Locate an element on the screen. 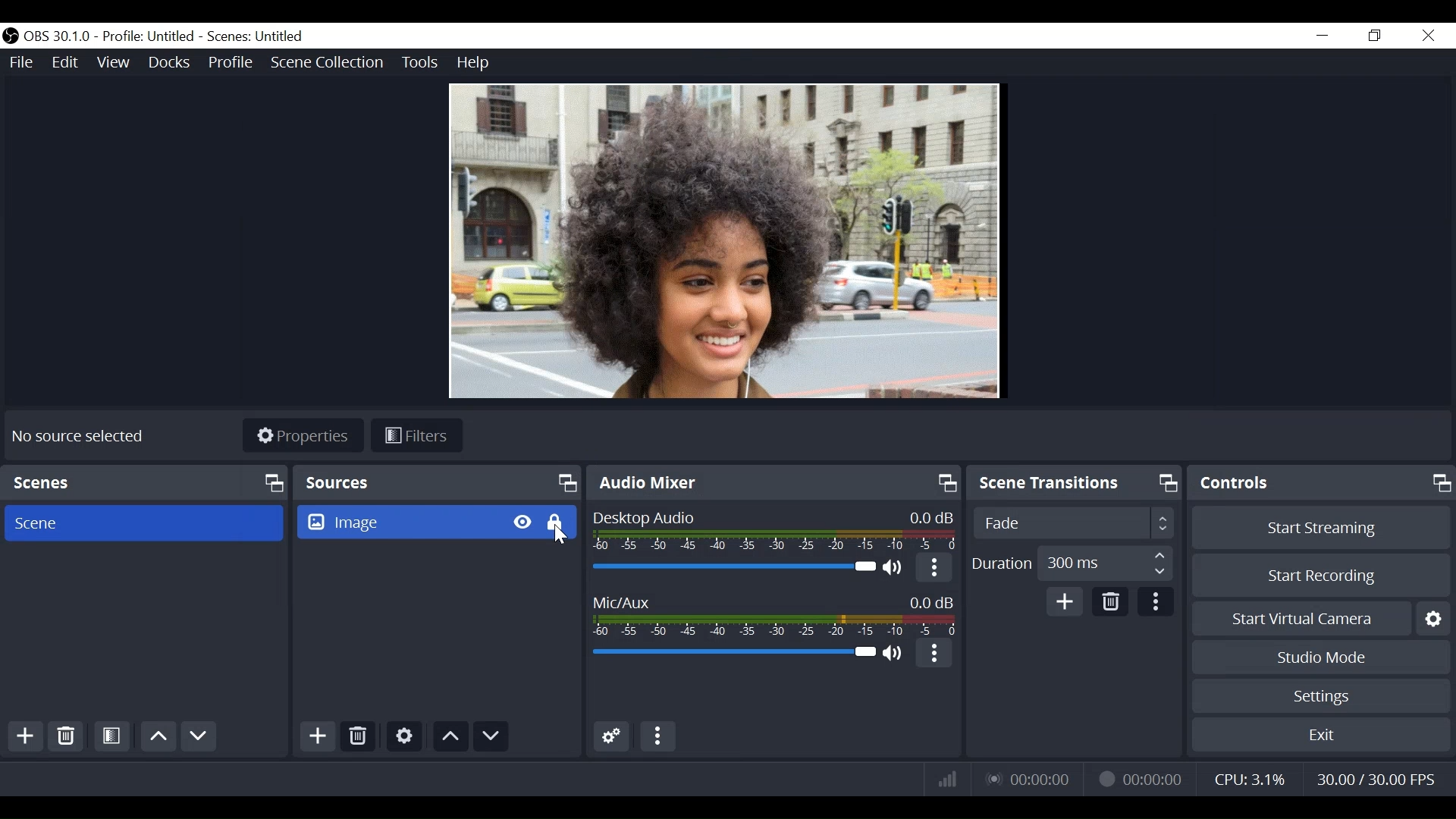 The image size is (1456, 819). Scene Transition is located at coordinates (1075, 484).